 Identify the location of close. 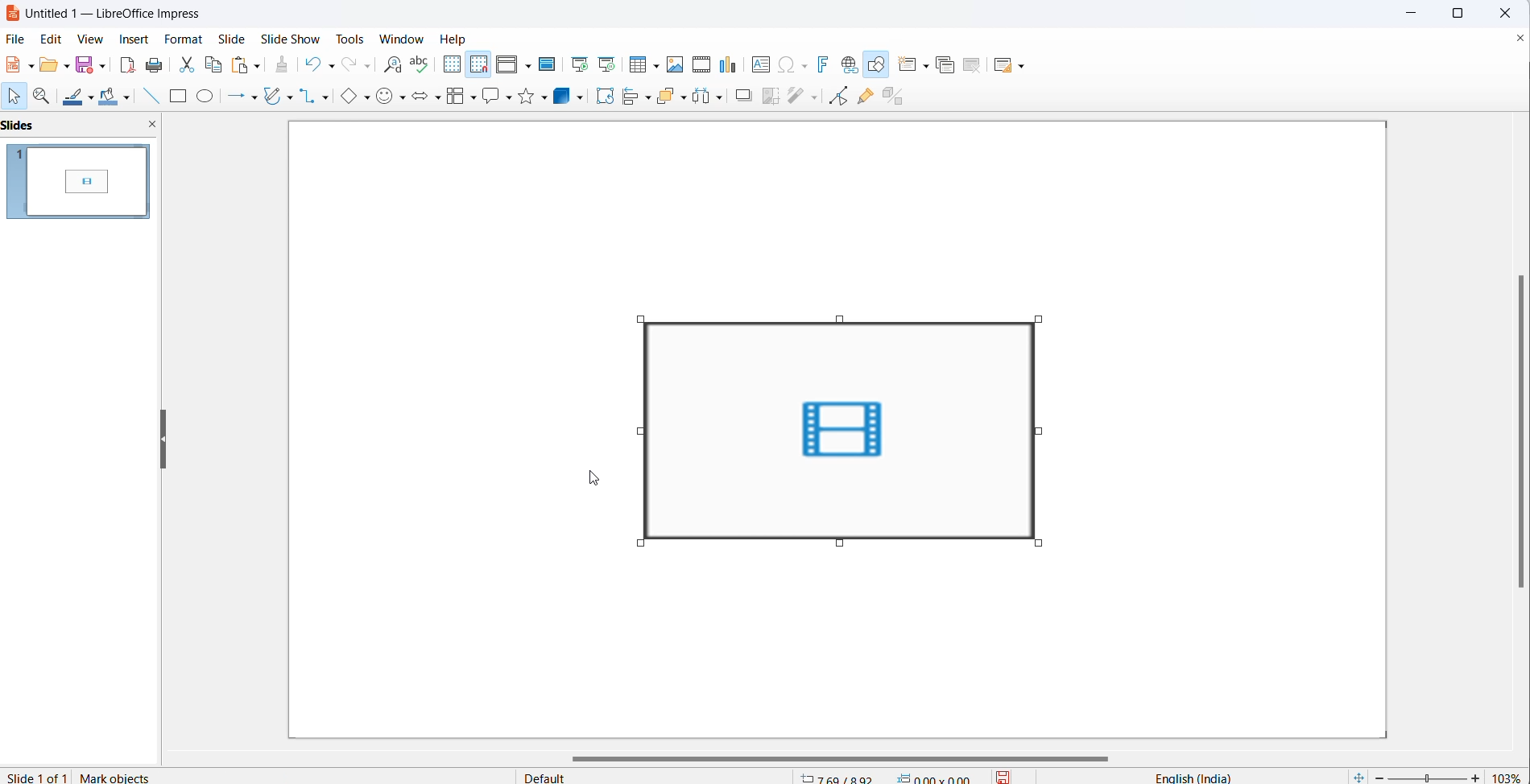
(1507, 13).